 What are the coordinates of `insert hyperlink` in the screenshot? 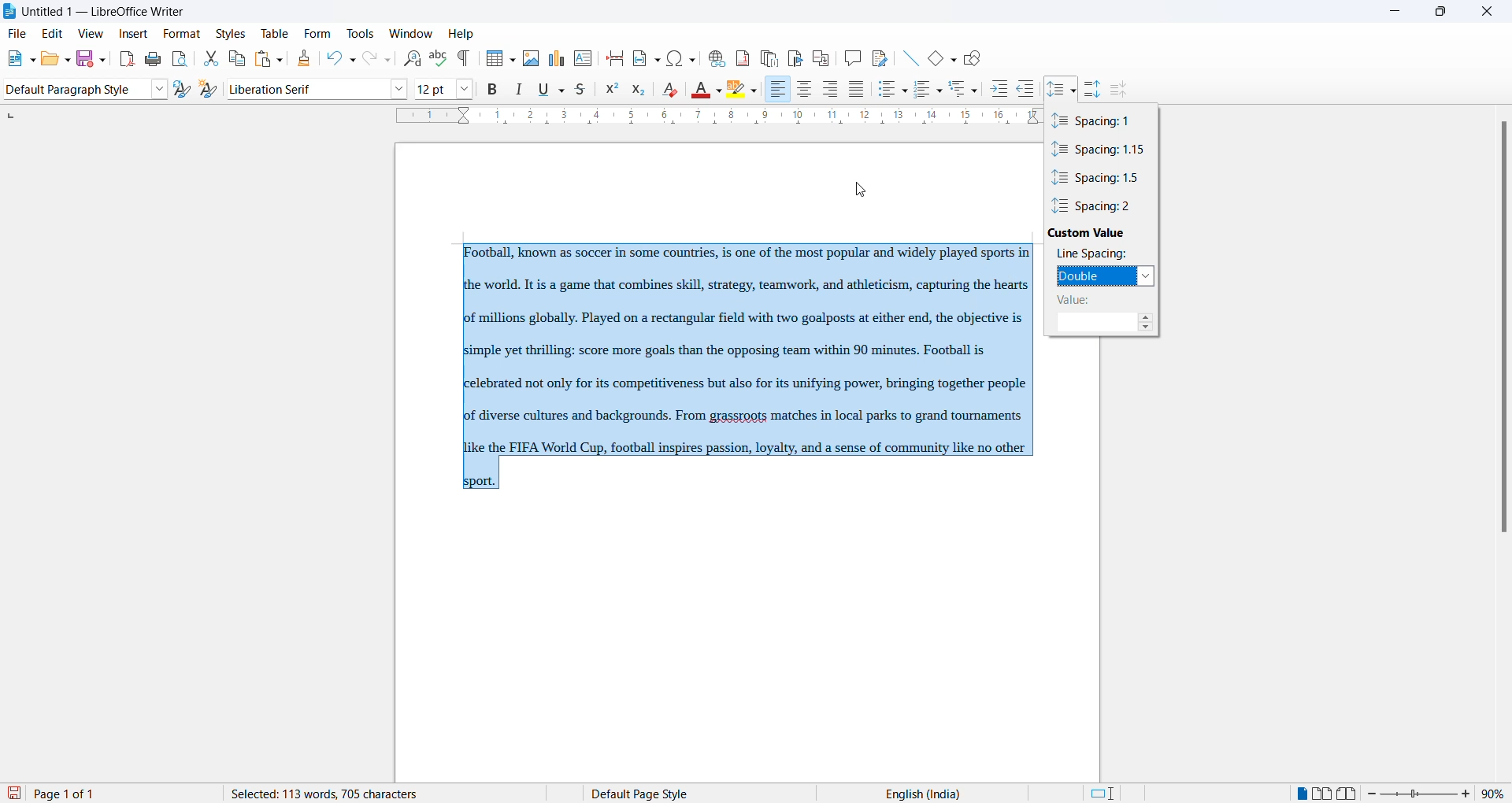 It's located at (717, 60).